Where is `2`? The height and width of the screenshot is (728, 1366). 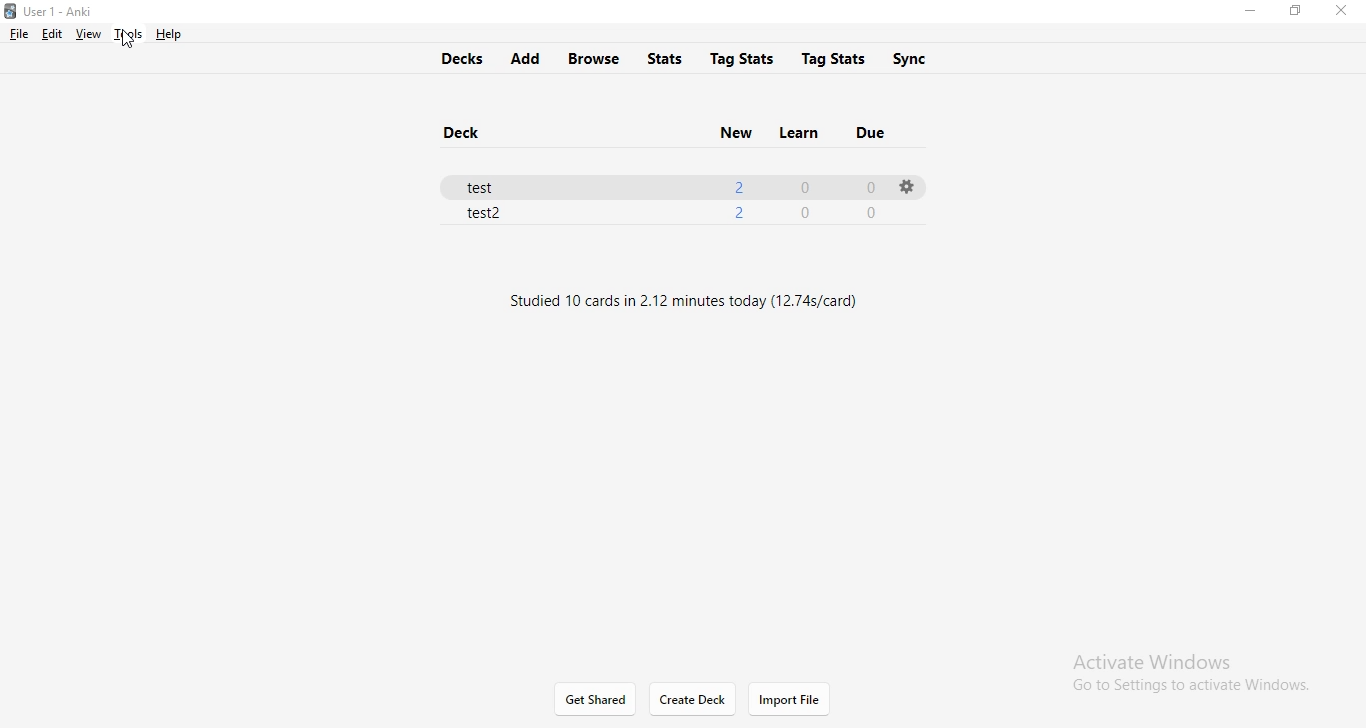 2 is located at coordinates (738, 210).